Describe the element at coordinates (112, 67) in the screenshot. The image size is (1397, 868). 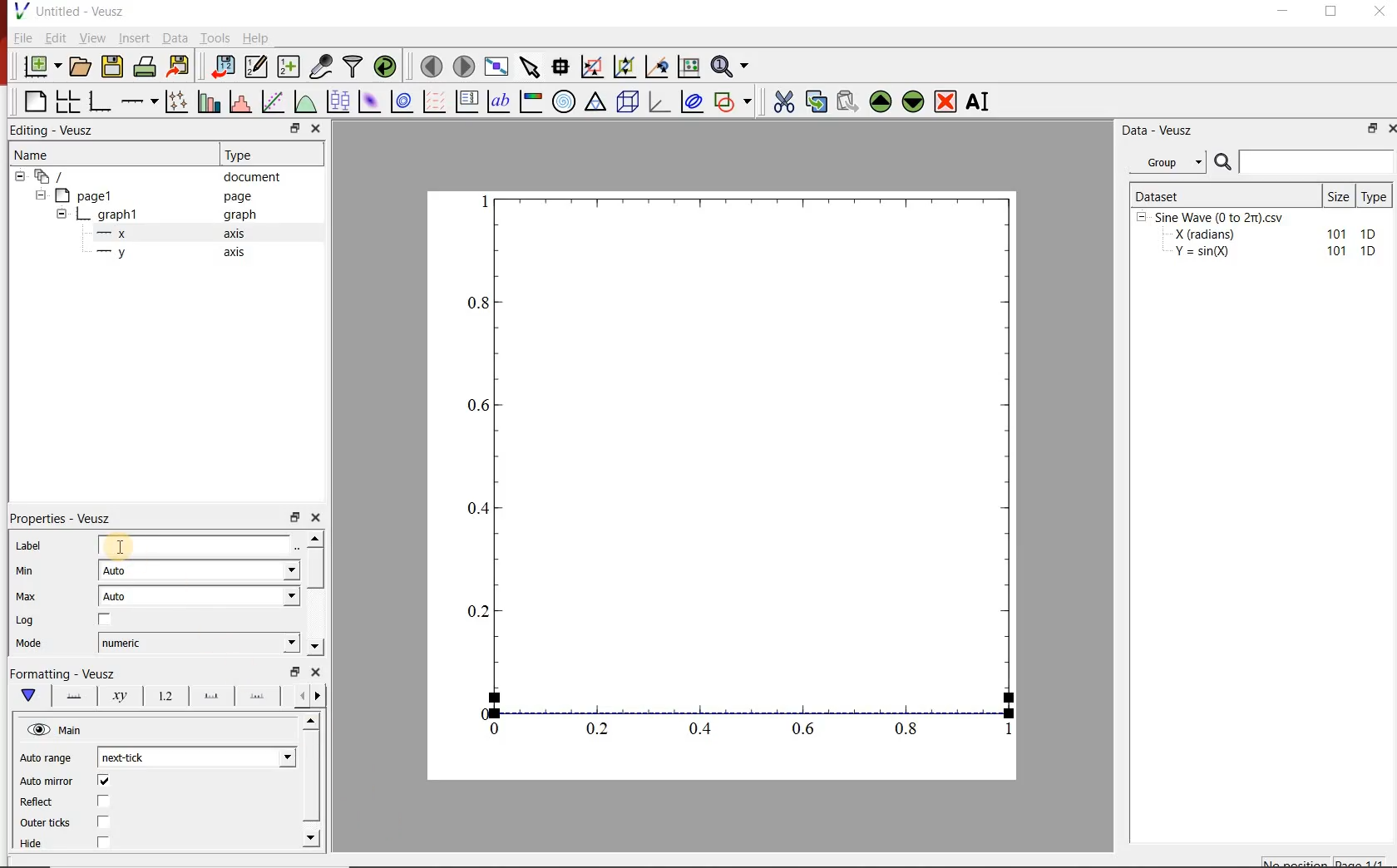
I see `save document` at that location.